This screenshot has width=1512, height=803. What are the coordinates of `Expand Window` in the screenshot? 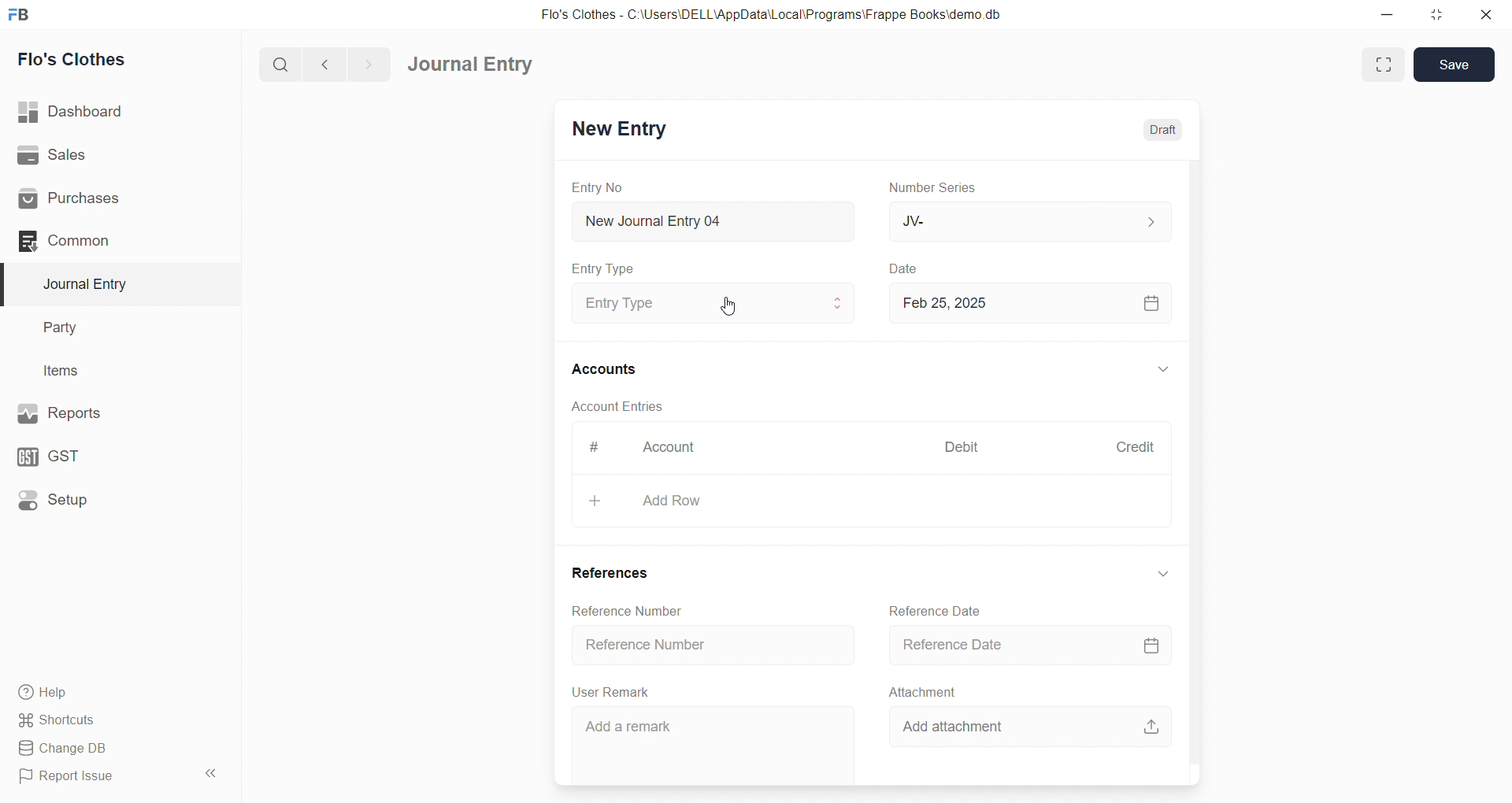 It's located at (1381, 65).